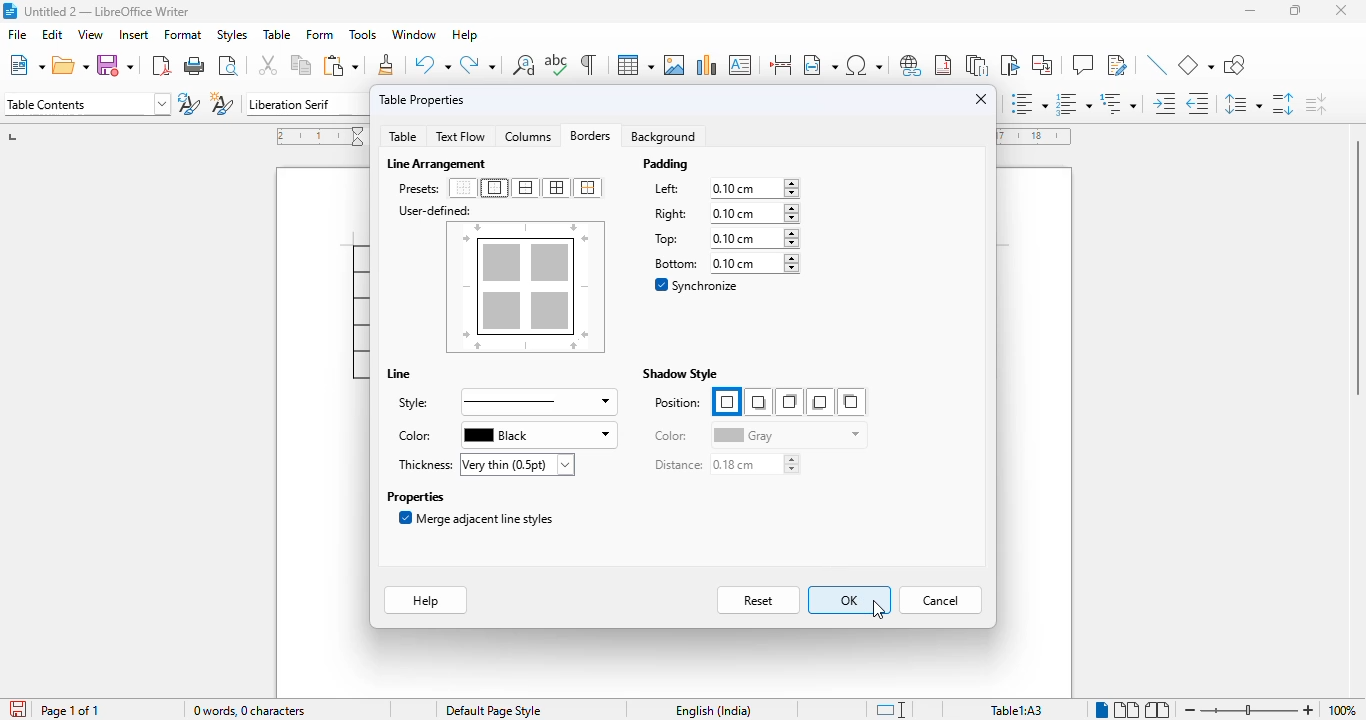 The height and width of the screenshot is (720, 1366). What do you see at coordinates (108, 11) in the screenshot?
I see `Untitled 2 — LibreOffice Writer` at bounding box center [108, 11].